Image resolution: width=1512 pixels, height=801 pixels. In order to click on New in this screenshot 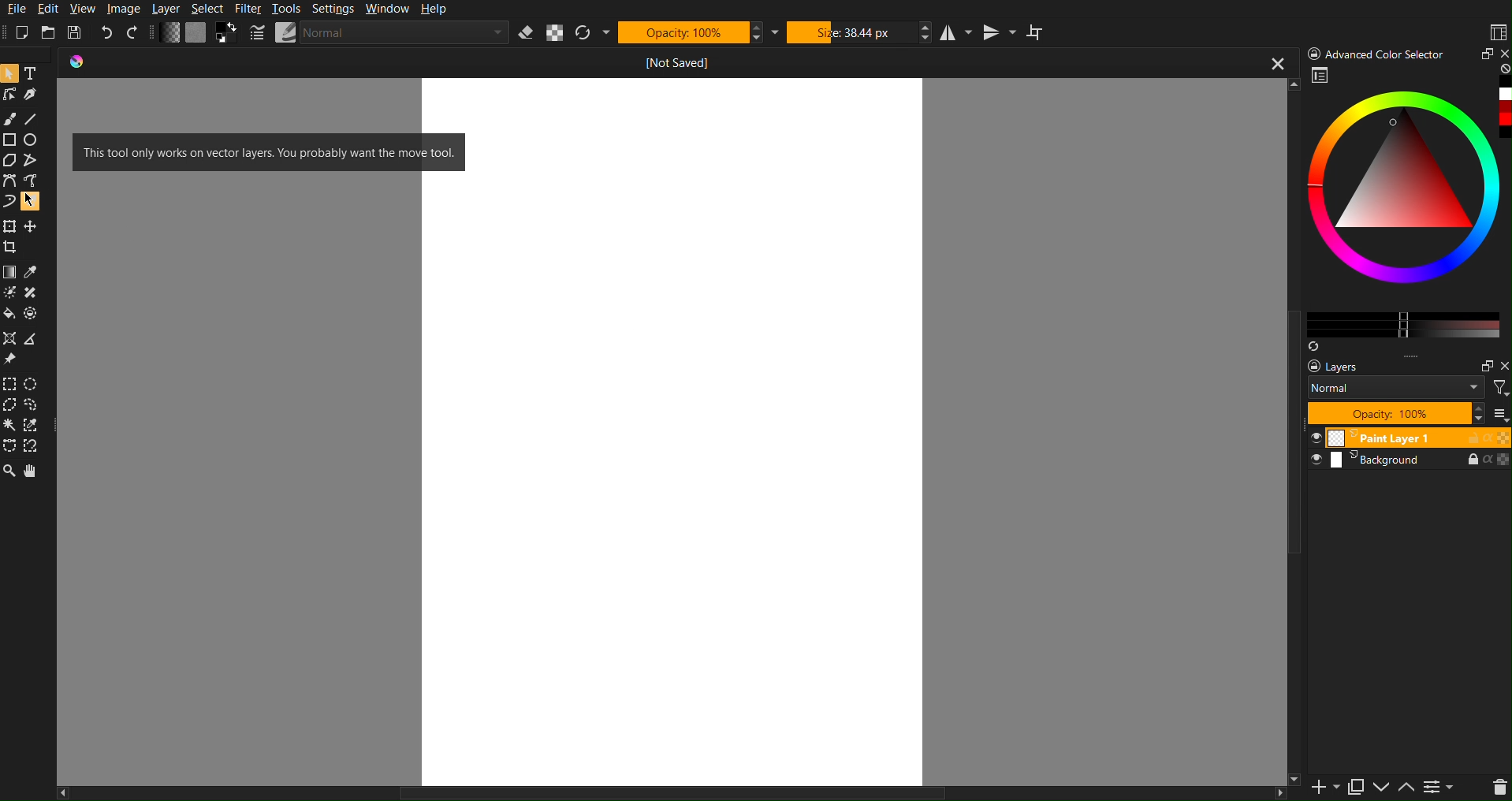, I will do `click(27, 30)`.